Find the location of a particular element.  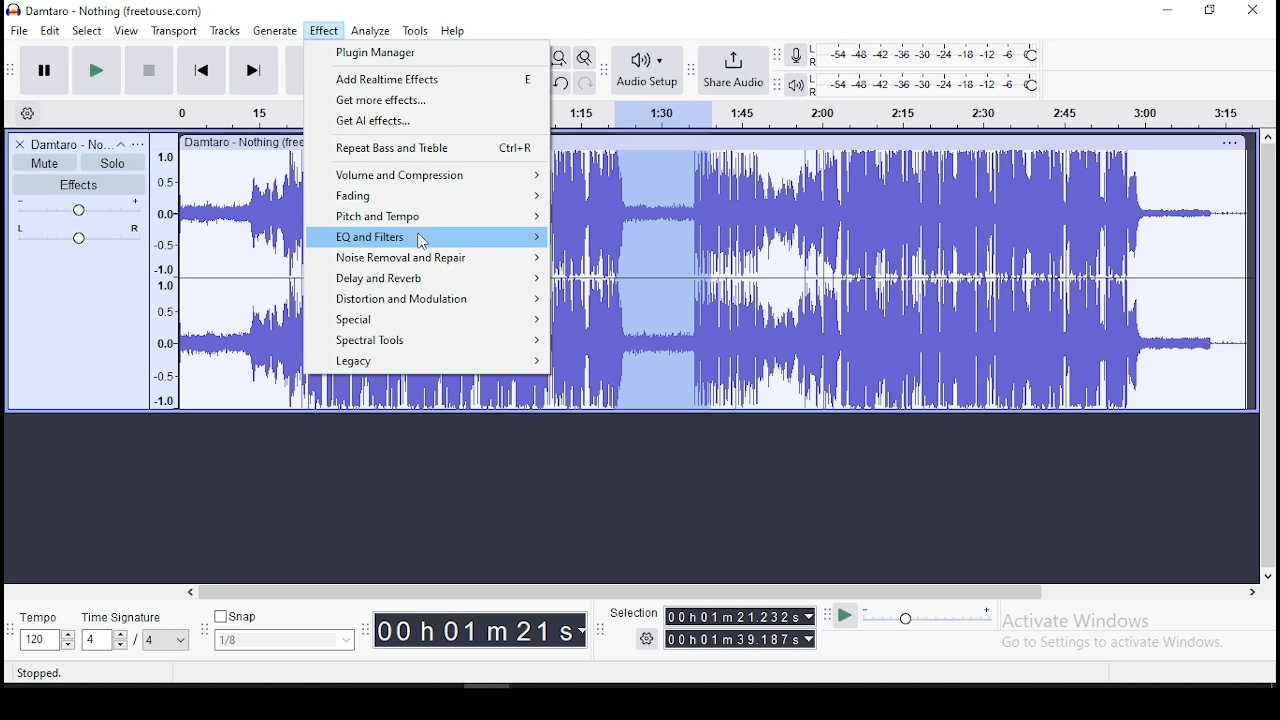

collapse is located at coordinates (120, 144).